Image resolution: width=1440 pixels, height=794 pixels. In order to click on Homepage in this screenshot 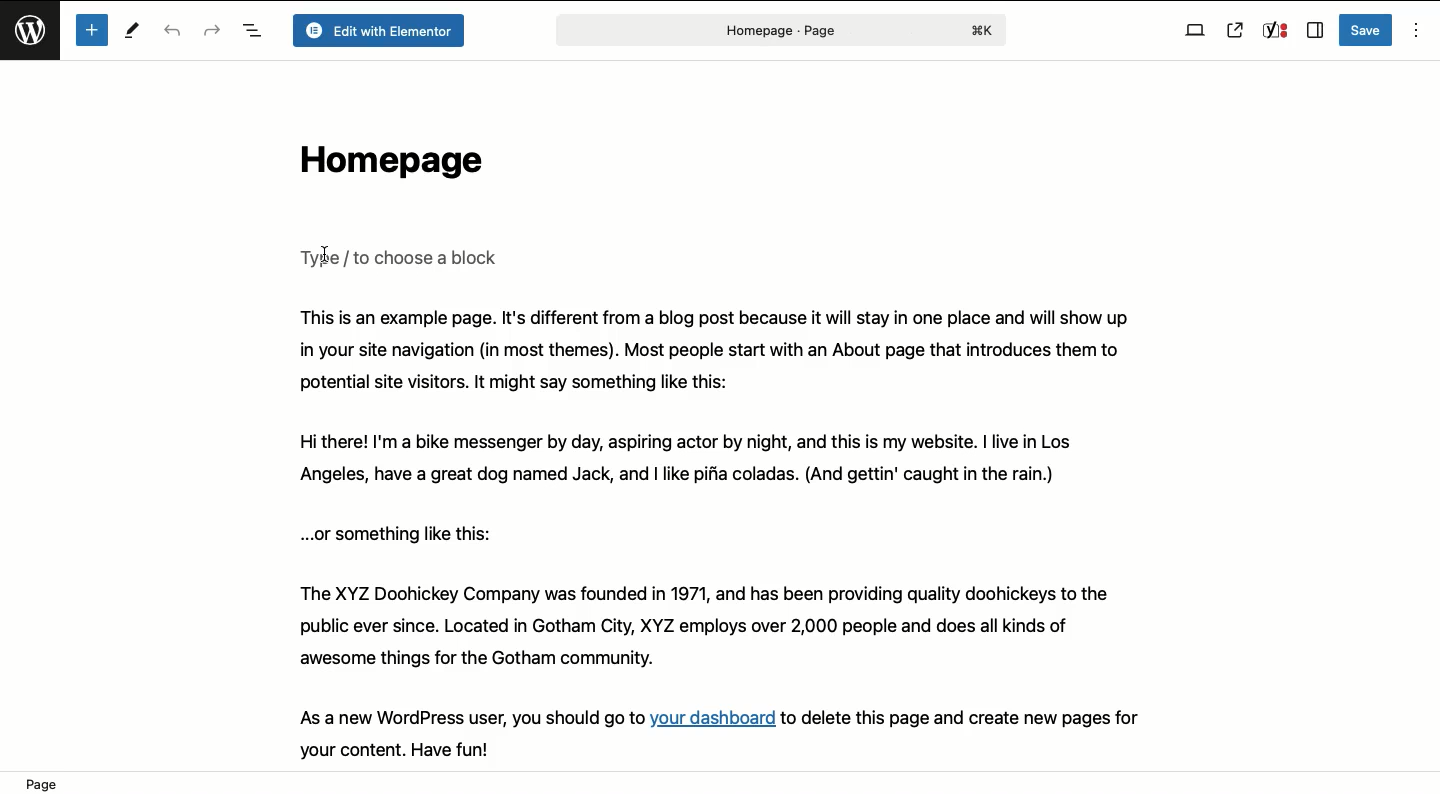, I will do `click(386, 165)`.